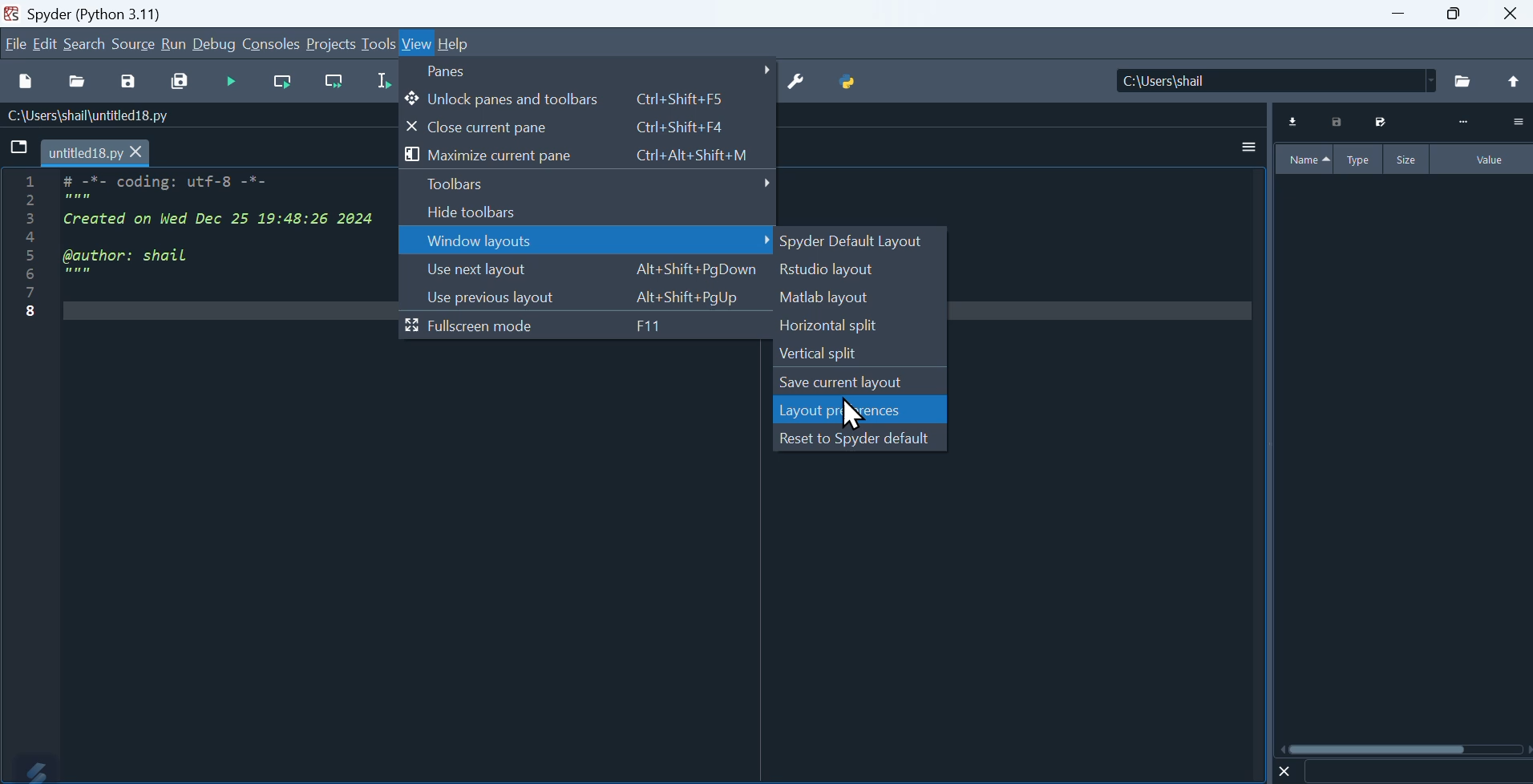 The width and height of the screenshot is (1533, 784). I want to click on Hide toolbars, so click(586, 212).